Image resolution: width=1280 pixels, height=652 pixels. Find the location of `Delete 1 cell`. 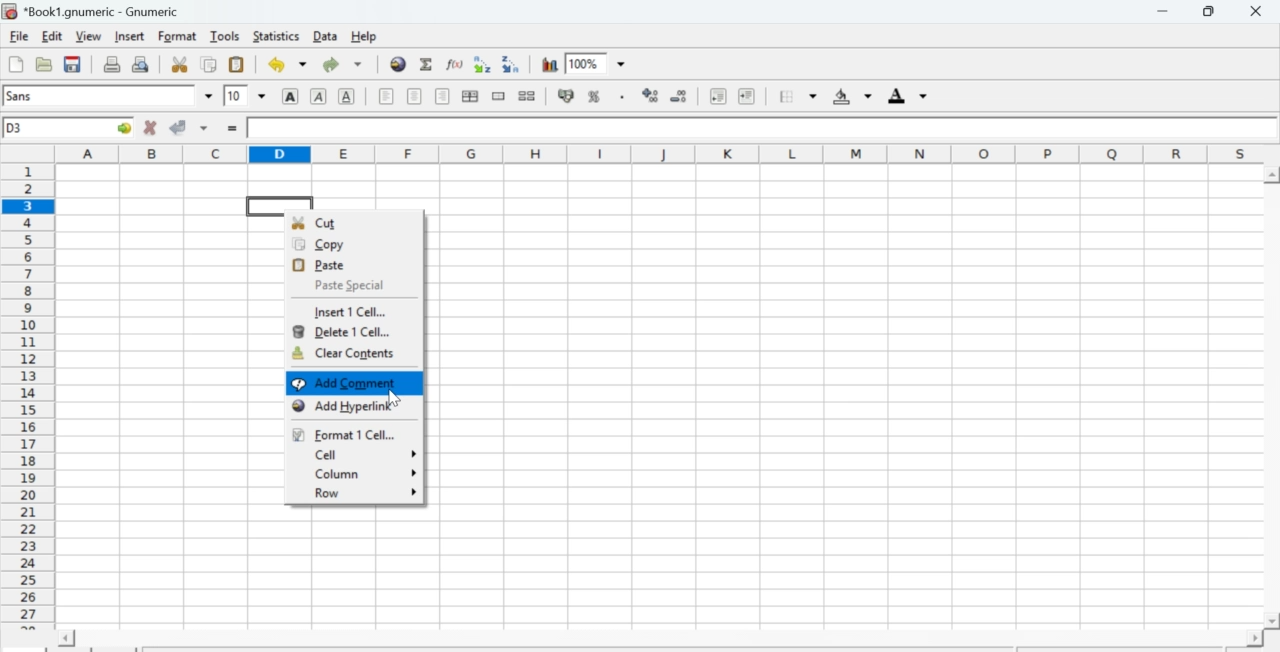

Delete 1 cell is located at coordinates (345, 332).